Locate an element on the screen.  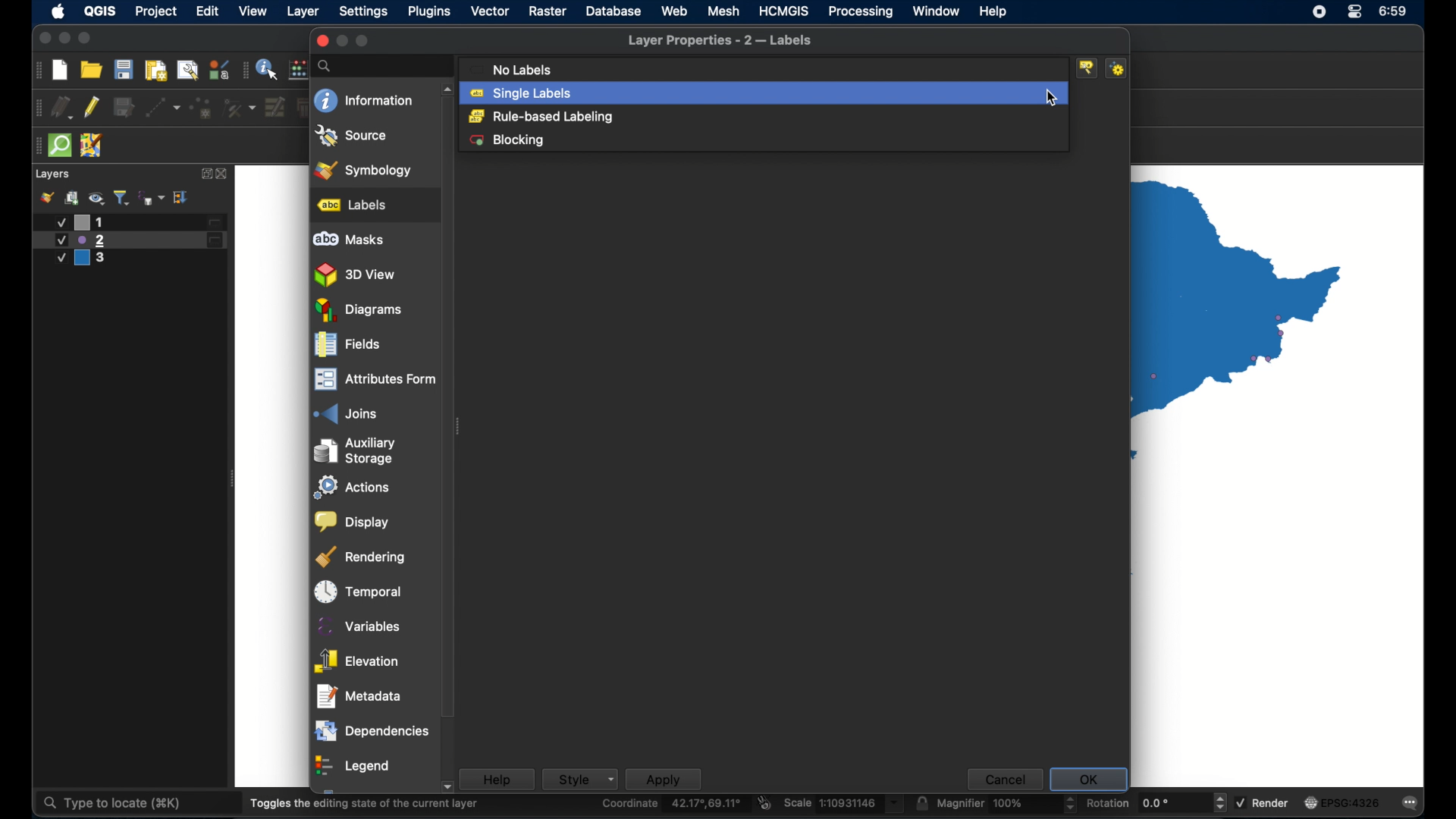
type to locate is located at coordinates (110, 804).